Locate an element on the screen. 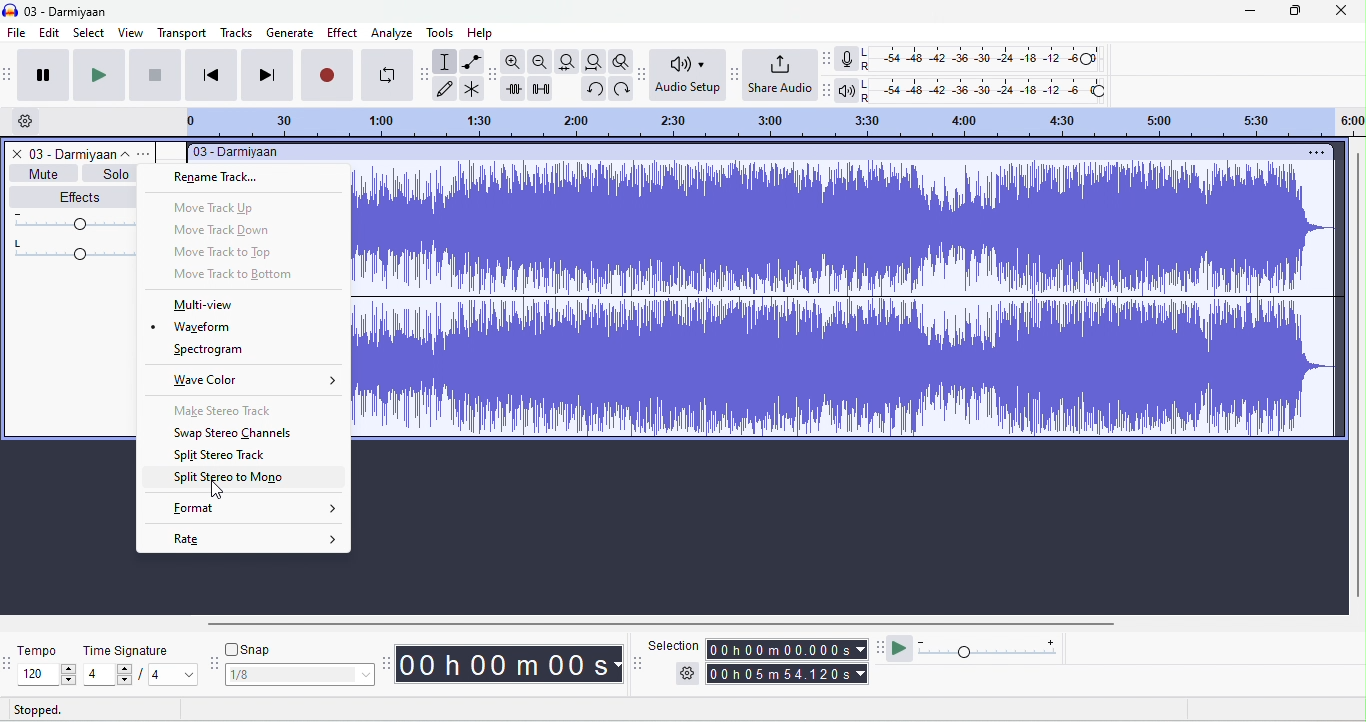 This screenshot has height=722, width=1366. effects is located at coordinates (76, 197).